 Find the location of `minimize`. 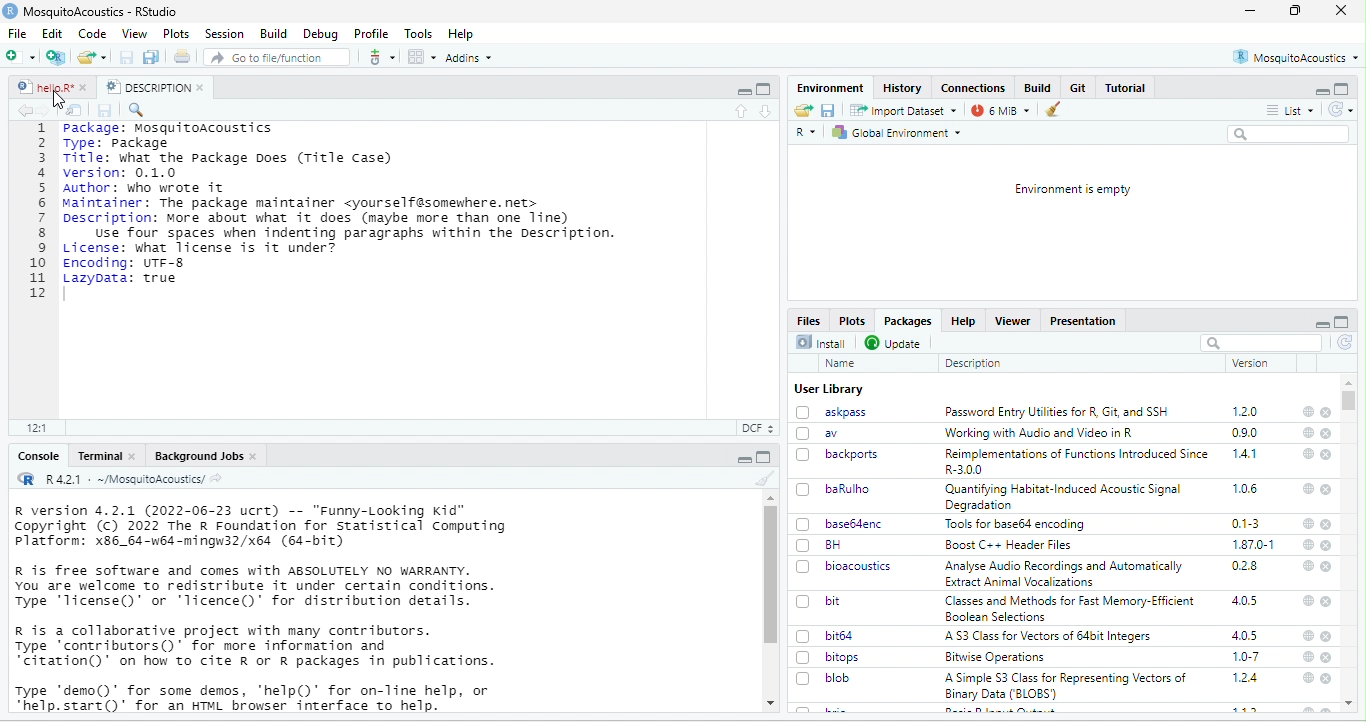

minimize is located at coordinates (1320, 89).